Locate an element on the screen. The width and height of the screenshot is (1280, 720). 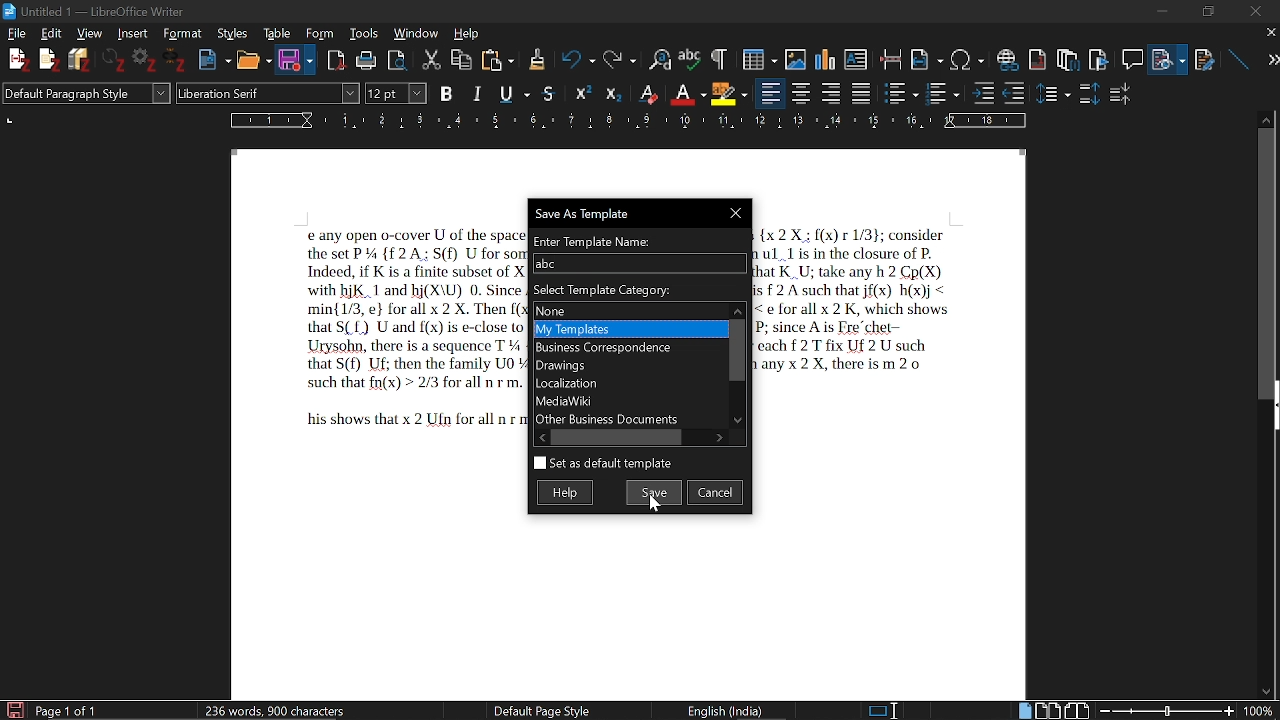
Move up is located at coordinates (737, 308).